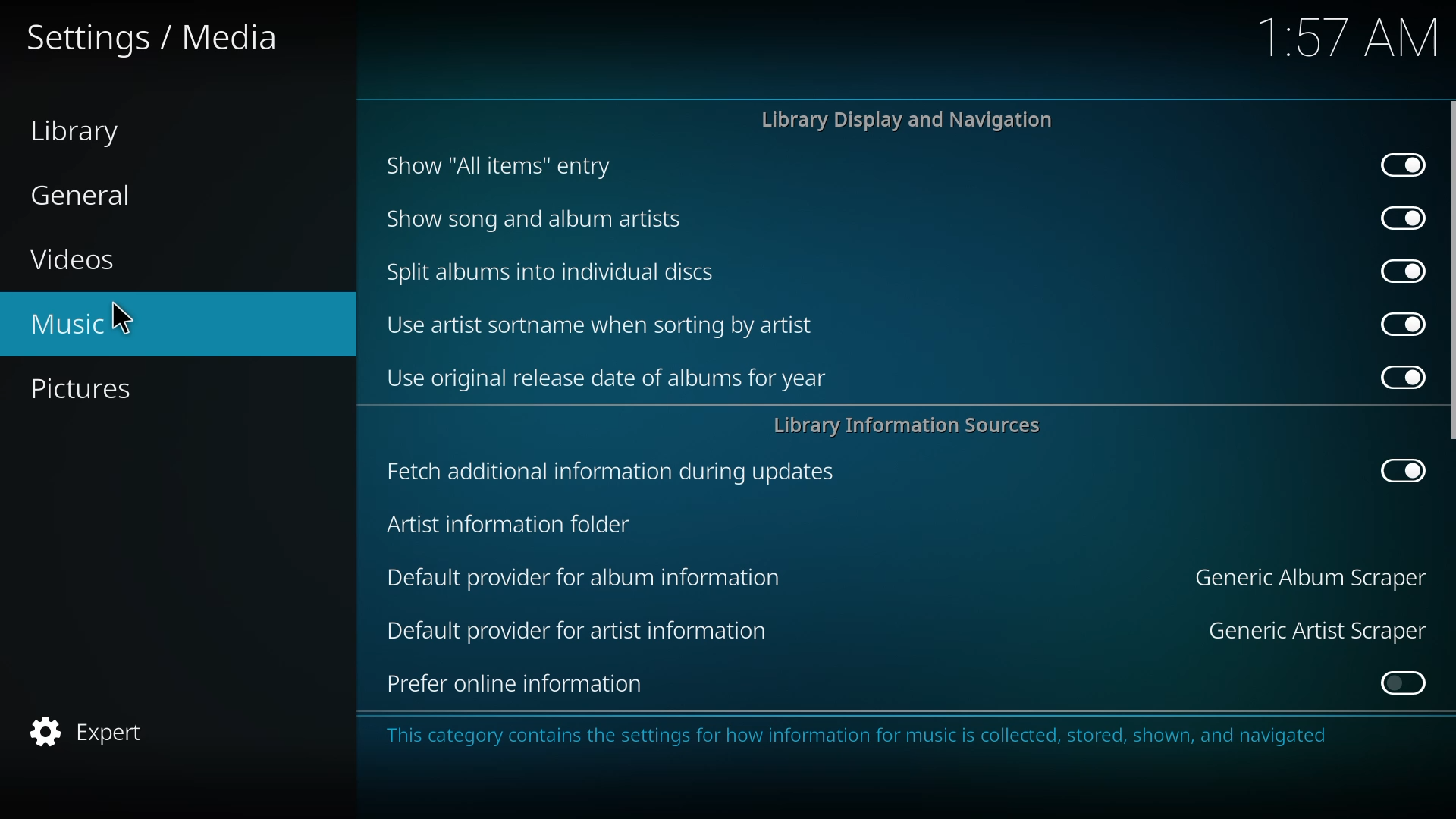 The image size is (1456, 819). Describe the element at coordinates (520, 683) in the screenshot. I see `prefer online information` at that location.